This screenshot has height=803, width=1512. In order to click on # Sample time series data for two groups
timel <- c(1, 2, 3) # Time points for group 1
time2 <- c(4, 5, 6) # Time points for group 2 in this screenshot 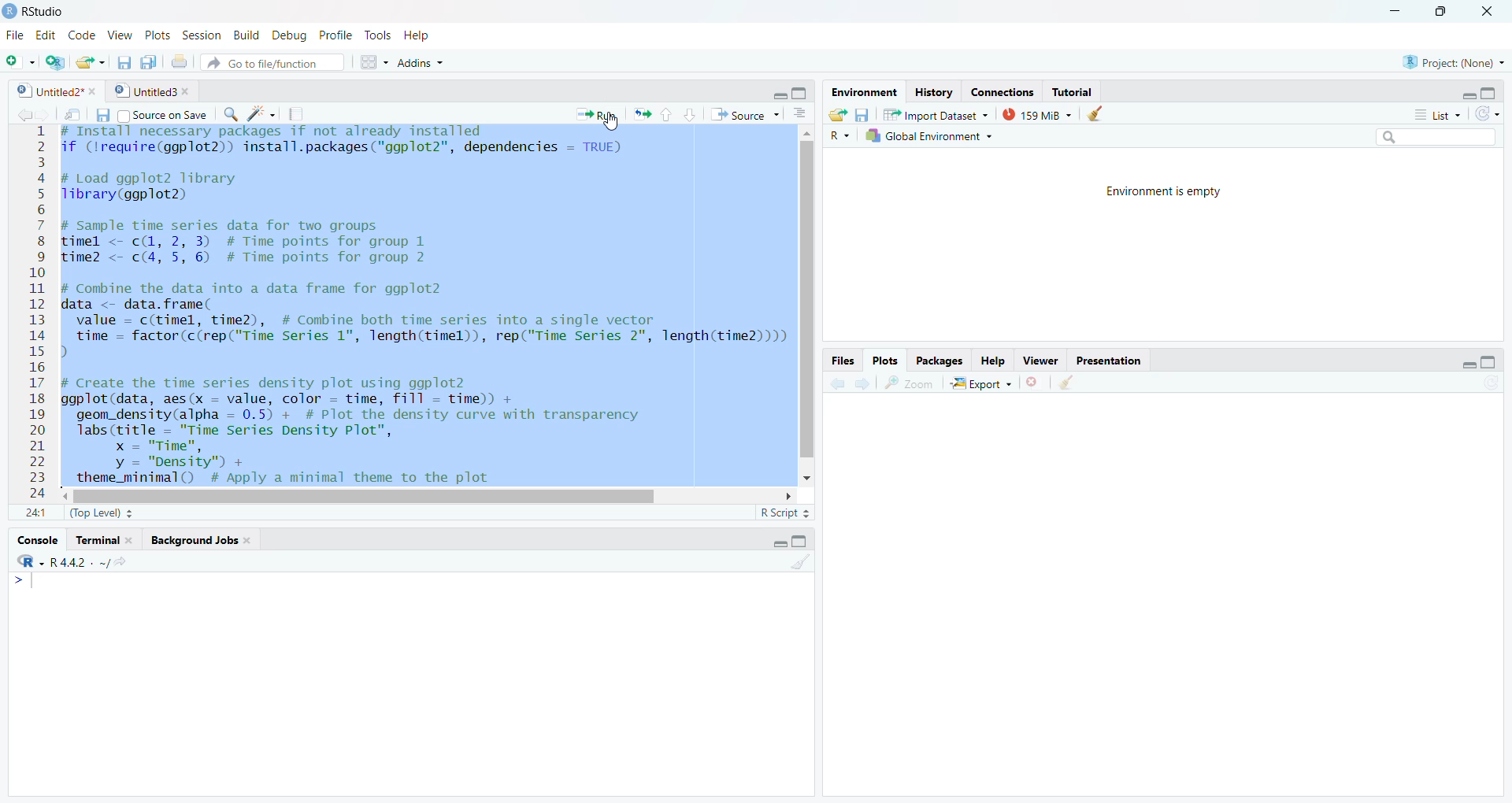, I will do `click(247, 242)`.